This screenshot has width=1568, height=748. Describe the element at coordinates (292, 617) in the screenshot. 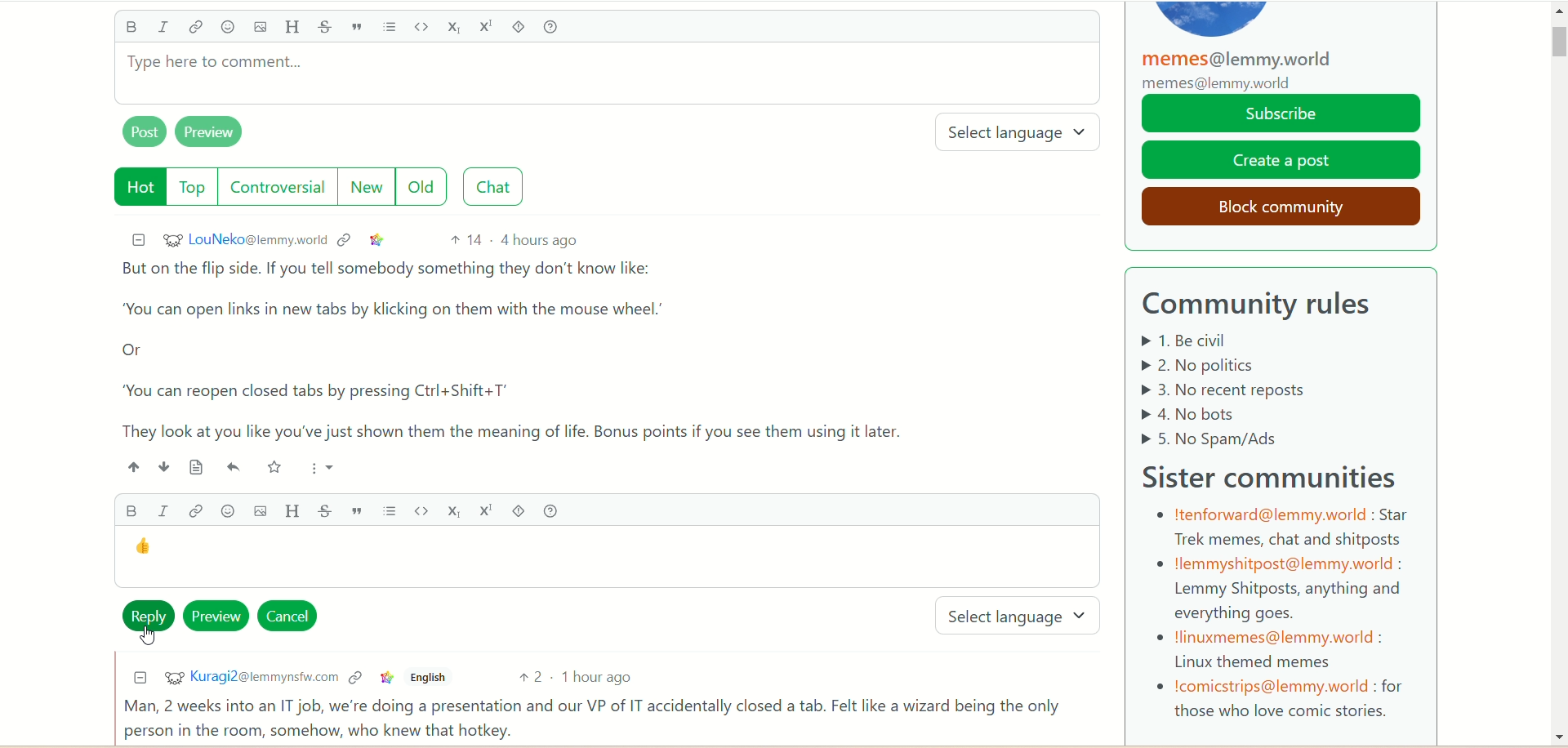

I see `cancel` at that location.